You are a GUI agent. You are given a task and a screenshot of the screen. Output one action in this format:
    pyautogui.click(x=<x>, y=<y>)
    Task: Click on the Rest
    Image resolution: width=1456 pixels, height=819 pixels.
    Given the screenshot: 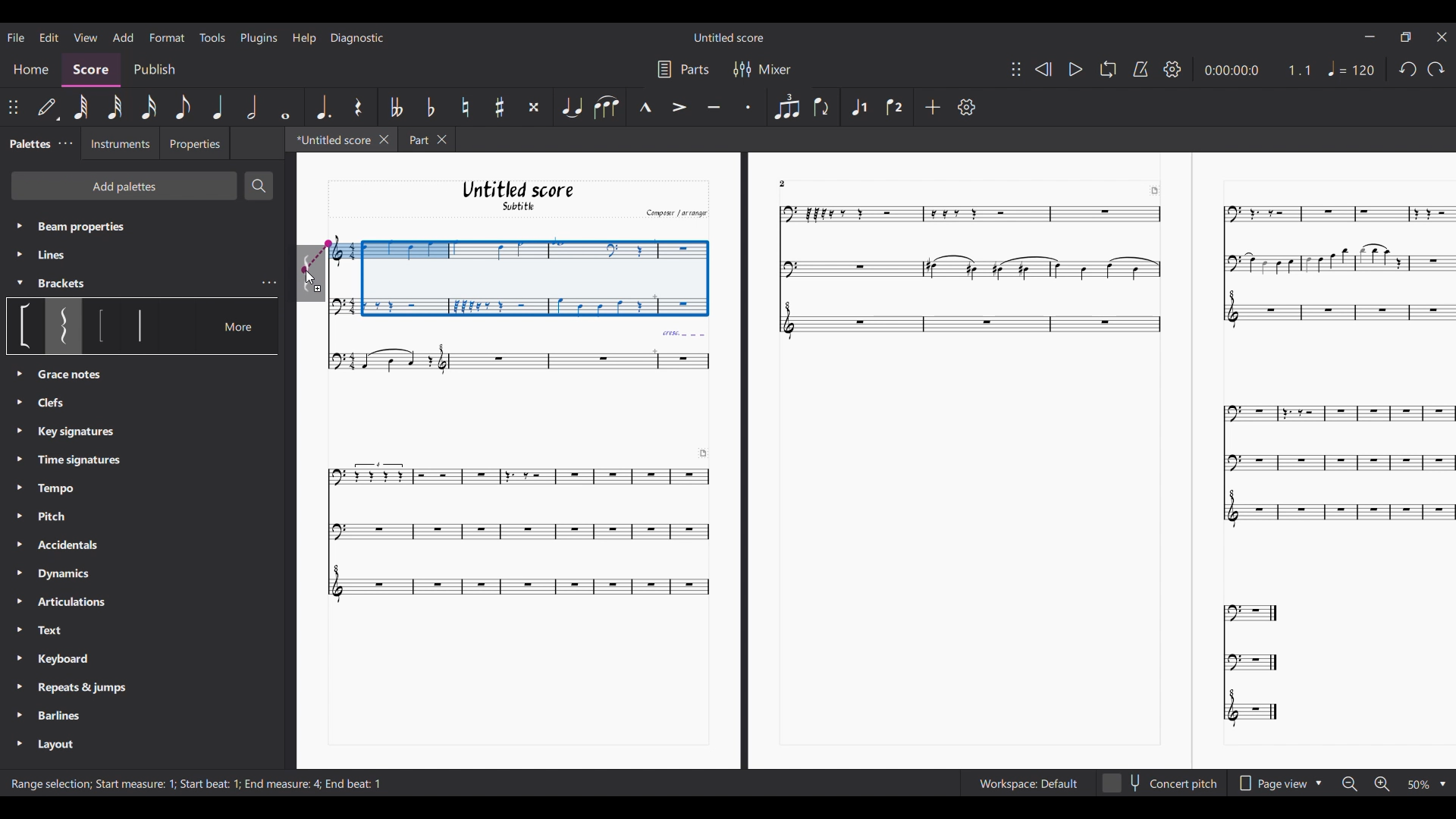 What is the action you would take?
    pyautogui.click(x=358, y=106)
    